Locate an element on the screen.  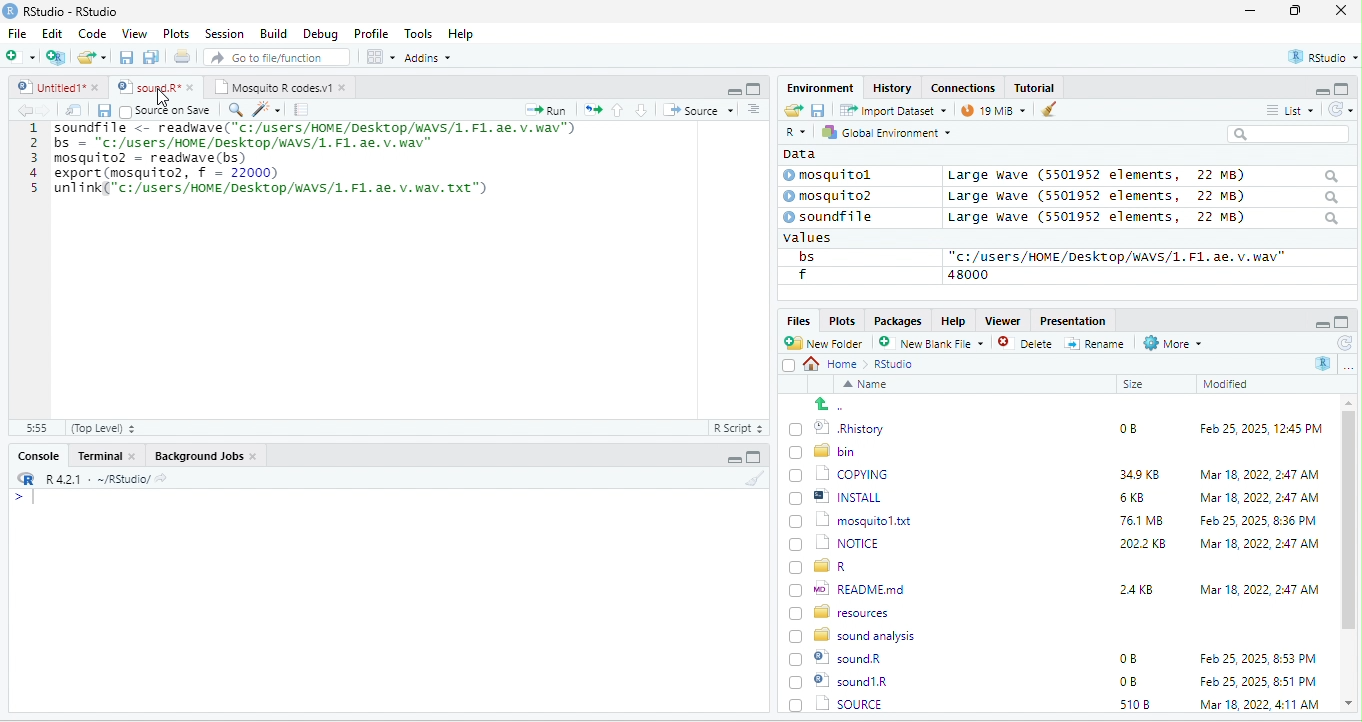
RStudio is located at coordinates (64, 10).